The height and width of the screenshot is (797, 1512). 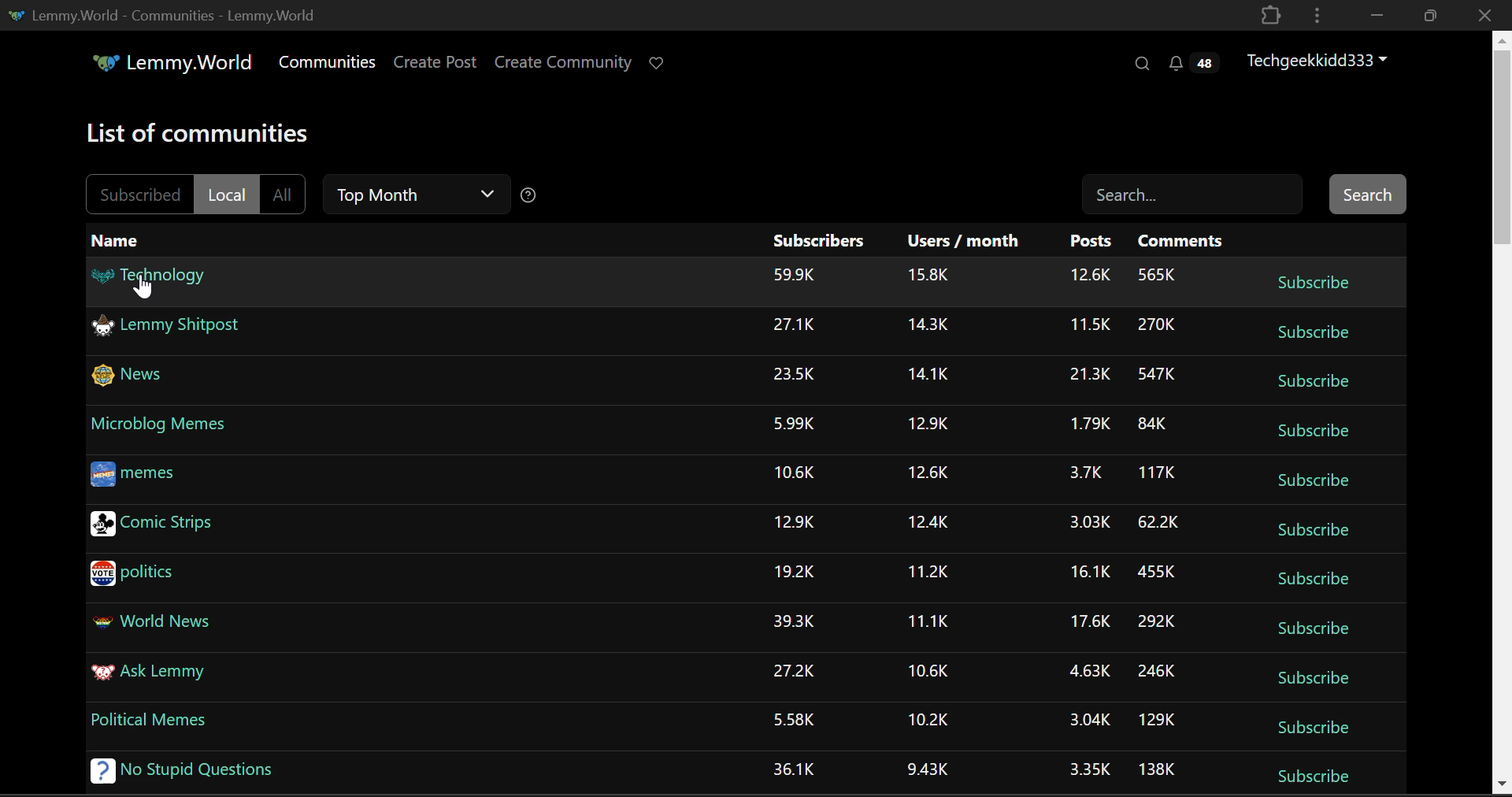 What do you see at coordinates (792, 769) in the screenshot?
I see `Amount` at bounding box center [792, 769].